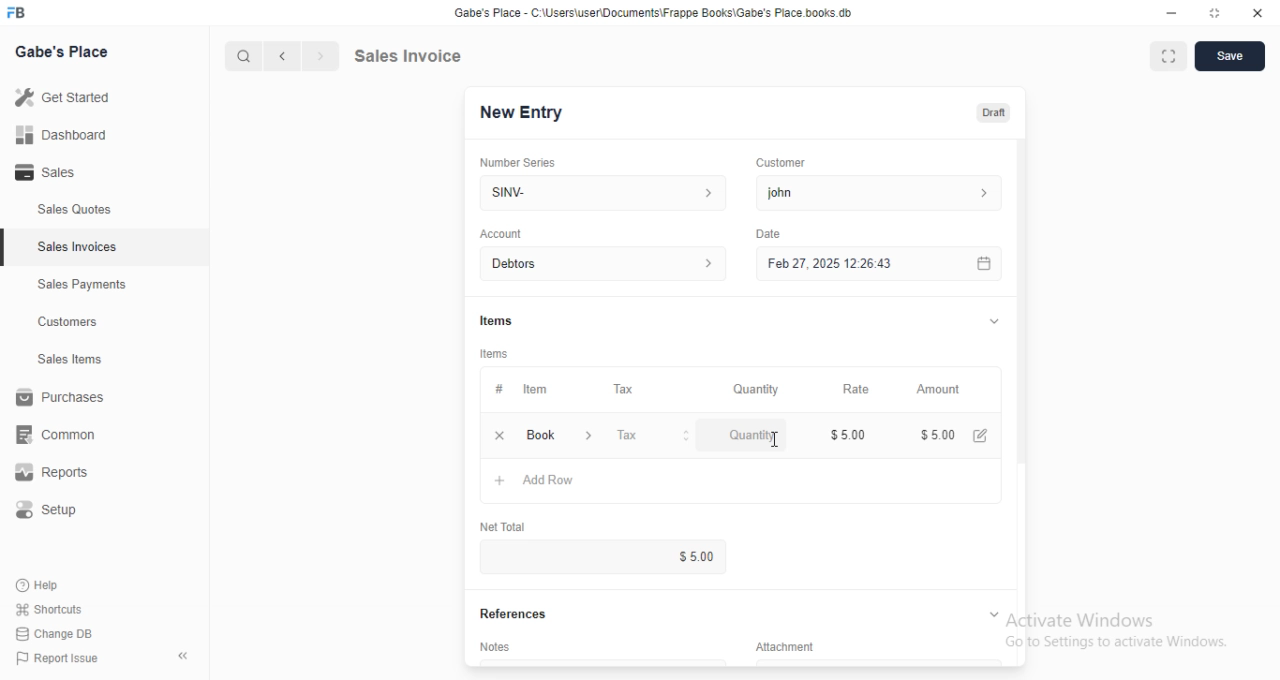 This screenshot has height=680, width=1280. What do you see at coordinates (44, 585) in the screenshot?
I see `Help` at bounding box center [44, 585].